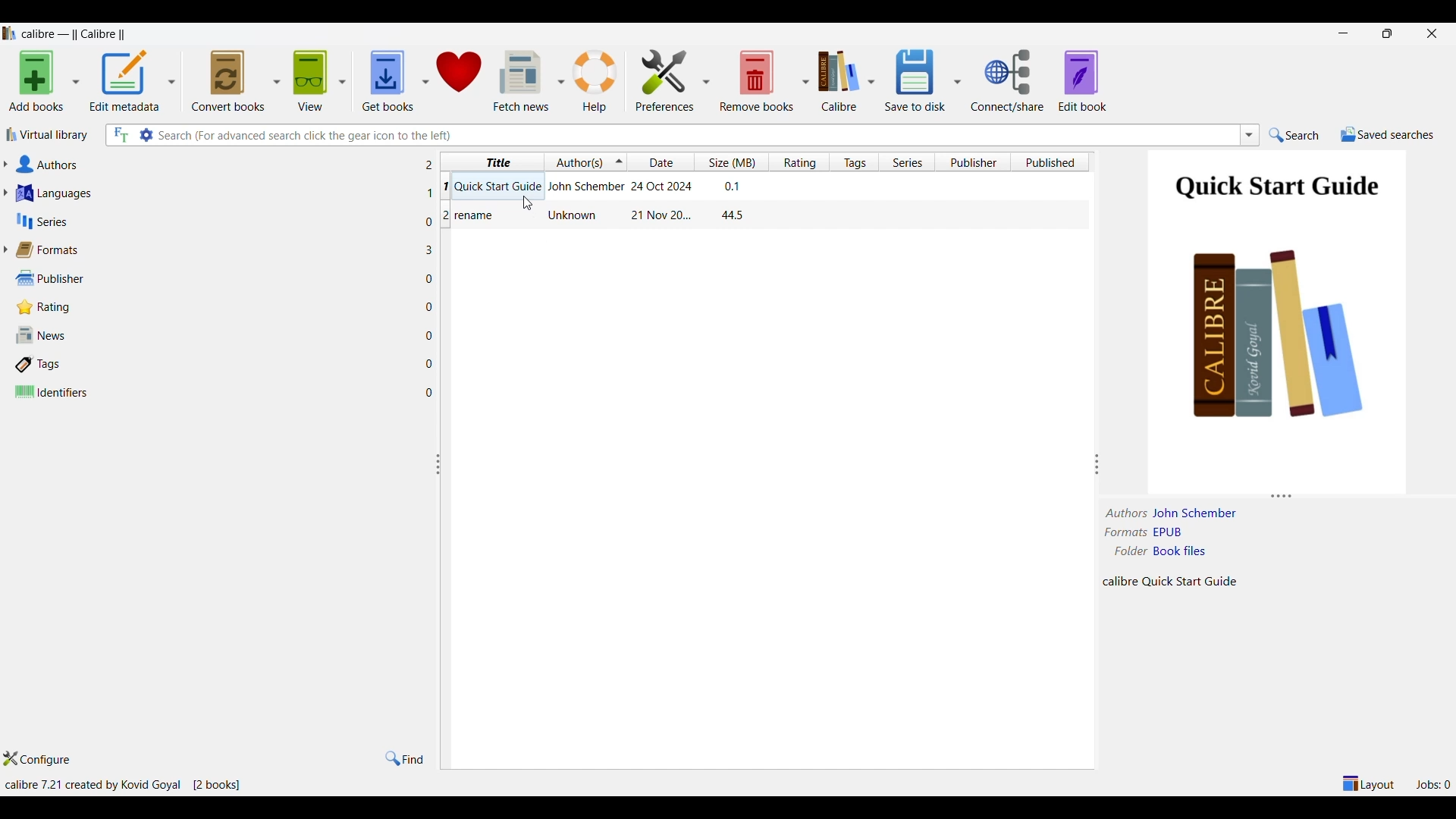 The height and width of the screenshot is (819, 1456). Describe the element at coordinates (386, 82) in the screenshot. I see `Get books` at that location.